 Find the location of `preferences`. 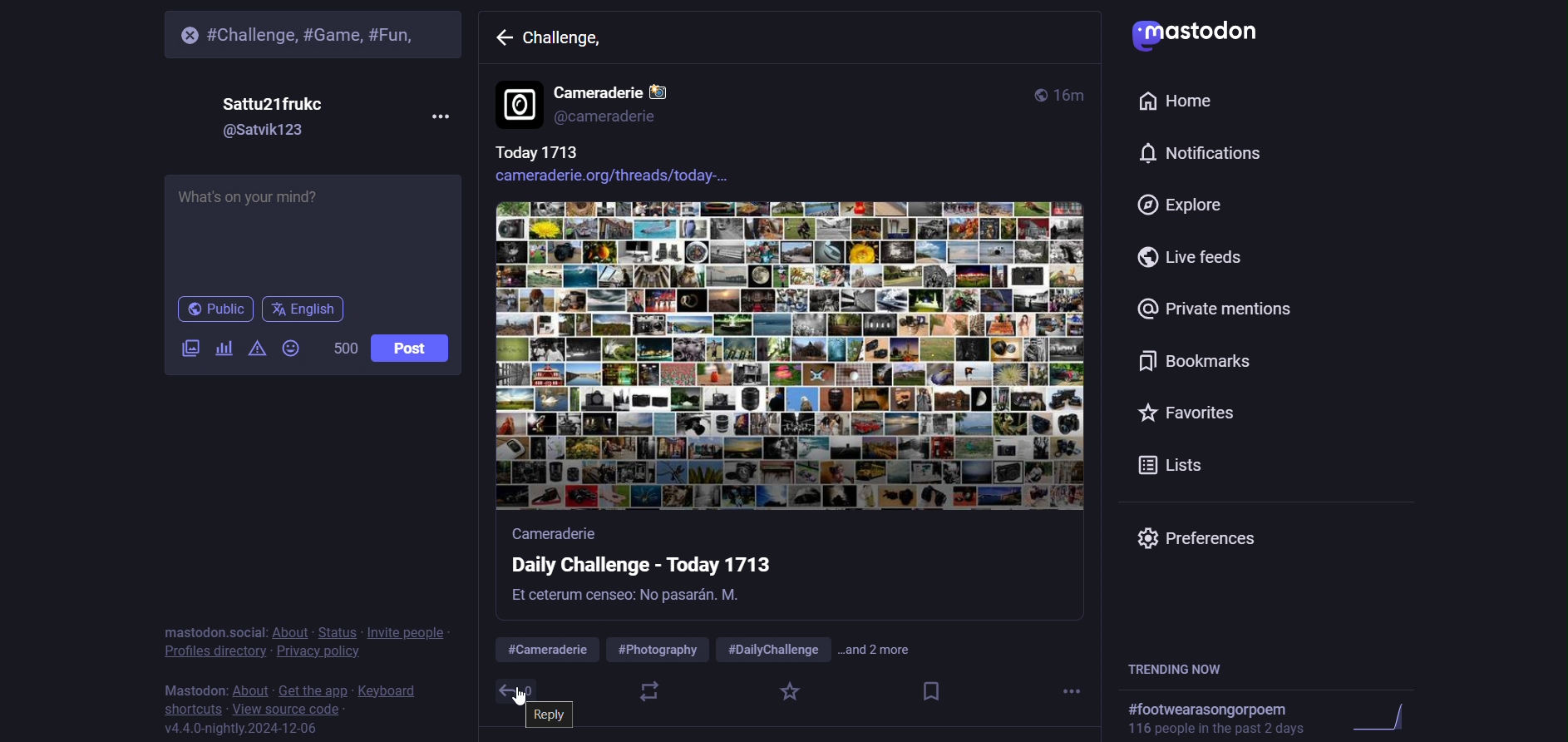

preferences is located at coordinates (1206, 537).